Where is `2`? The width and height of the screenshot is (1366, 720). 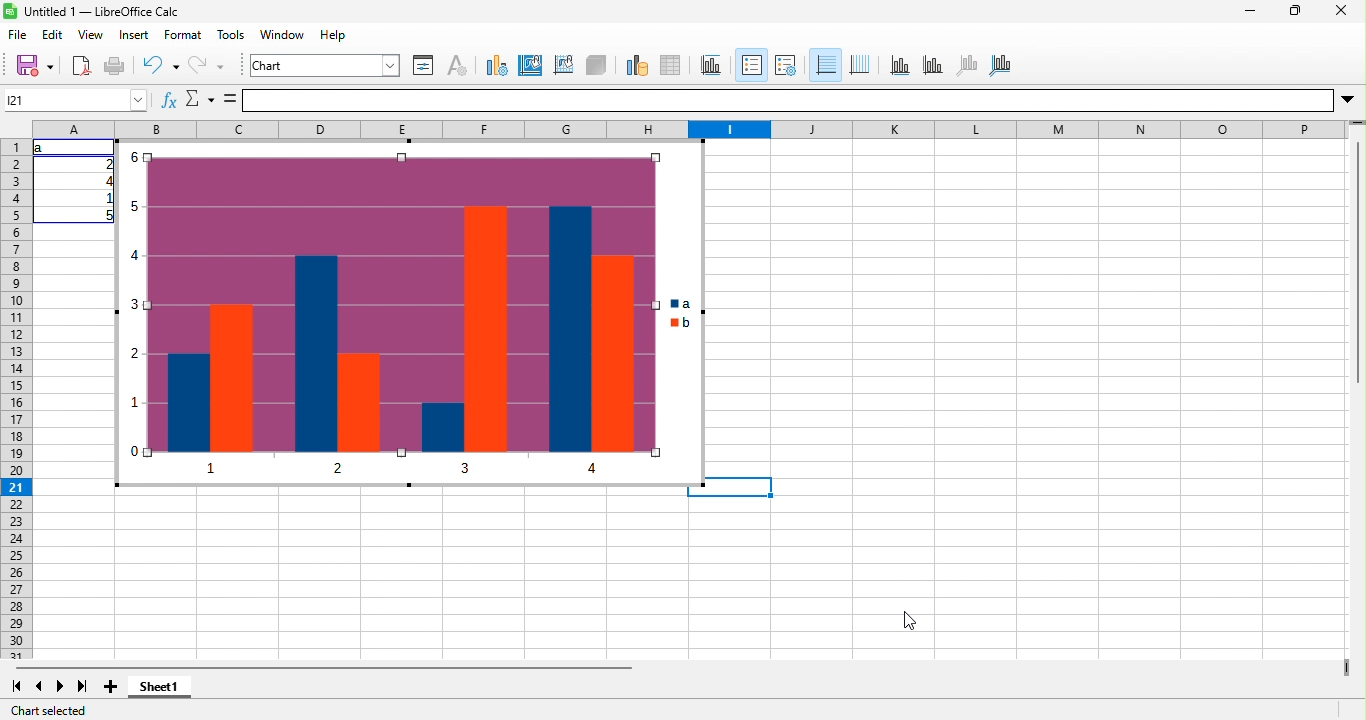 2 is located at coordinates (106, 164).